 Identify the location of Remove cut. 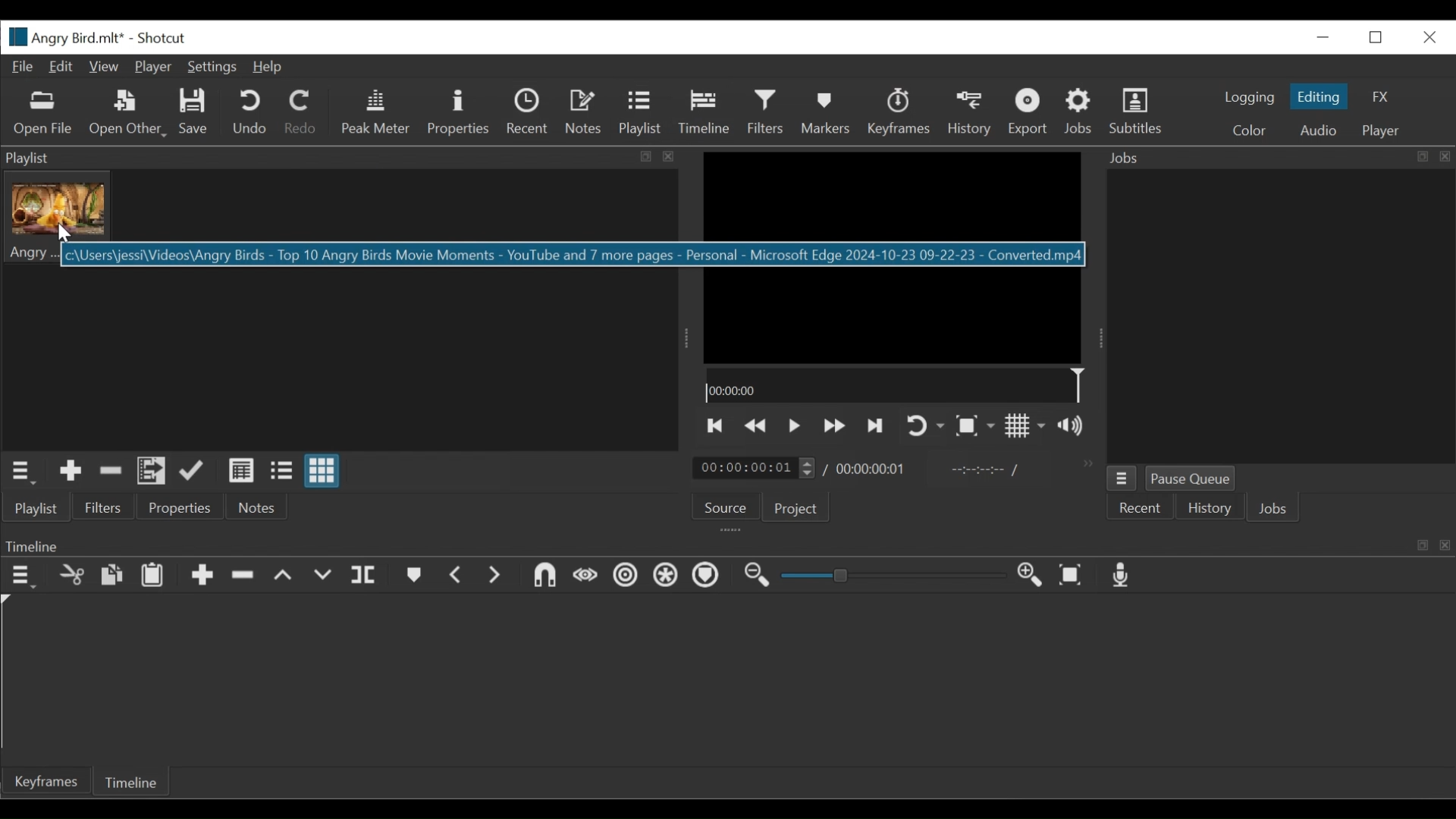
(243, 573).